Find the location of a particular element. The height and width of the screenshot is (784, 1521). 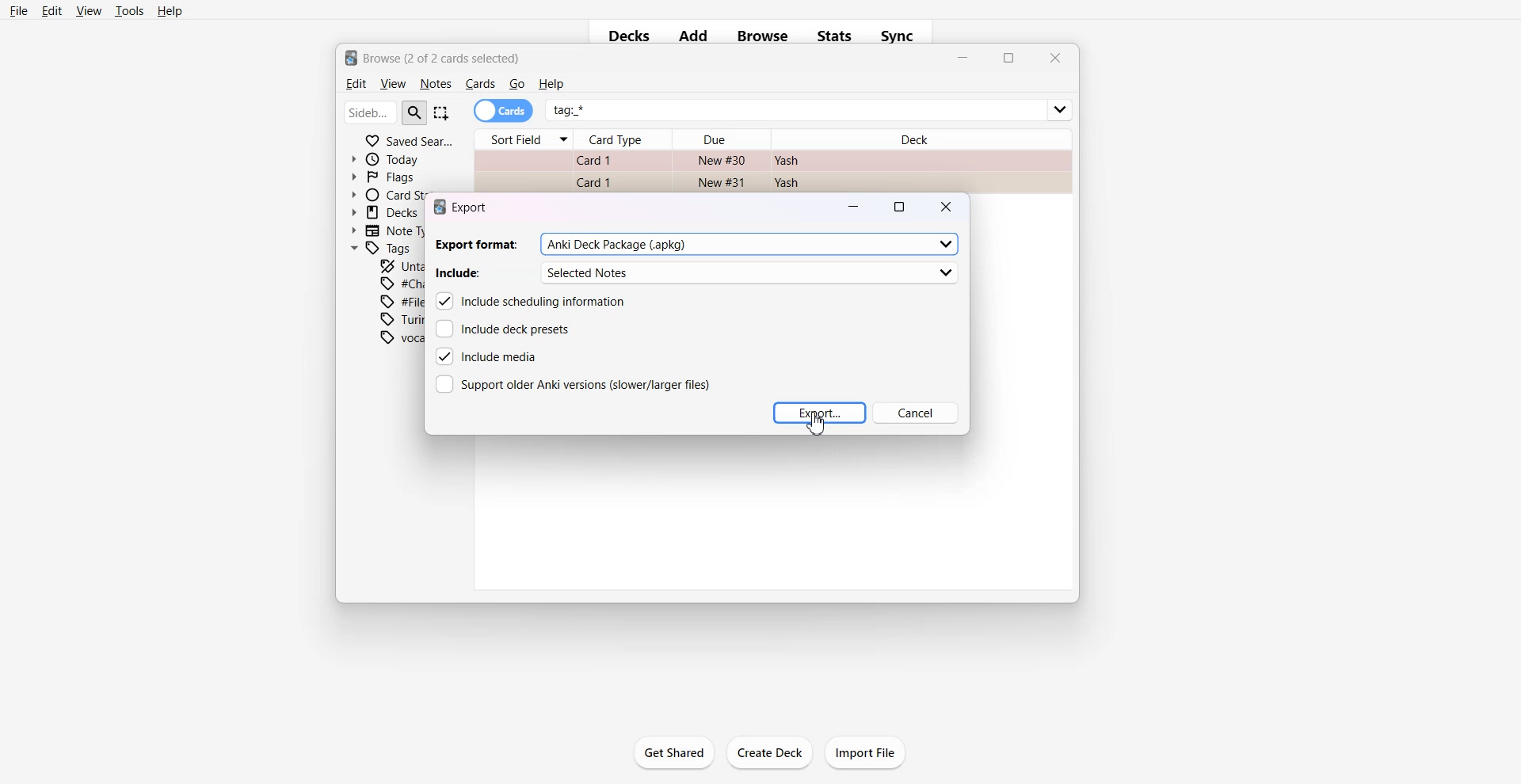

Edit is located at coordinates (52, 10).